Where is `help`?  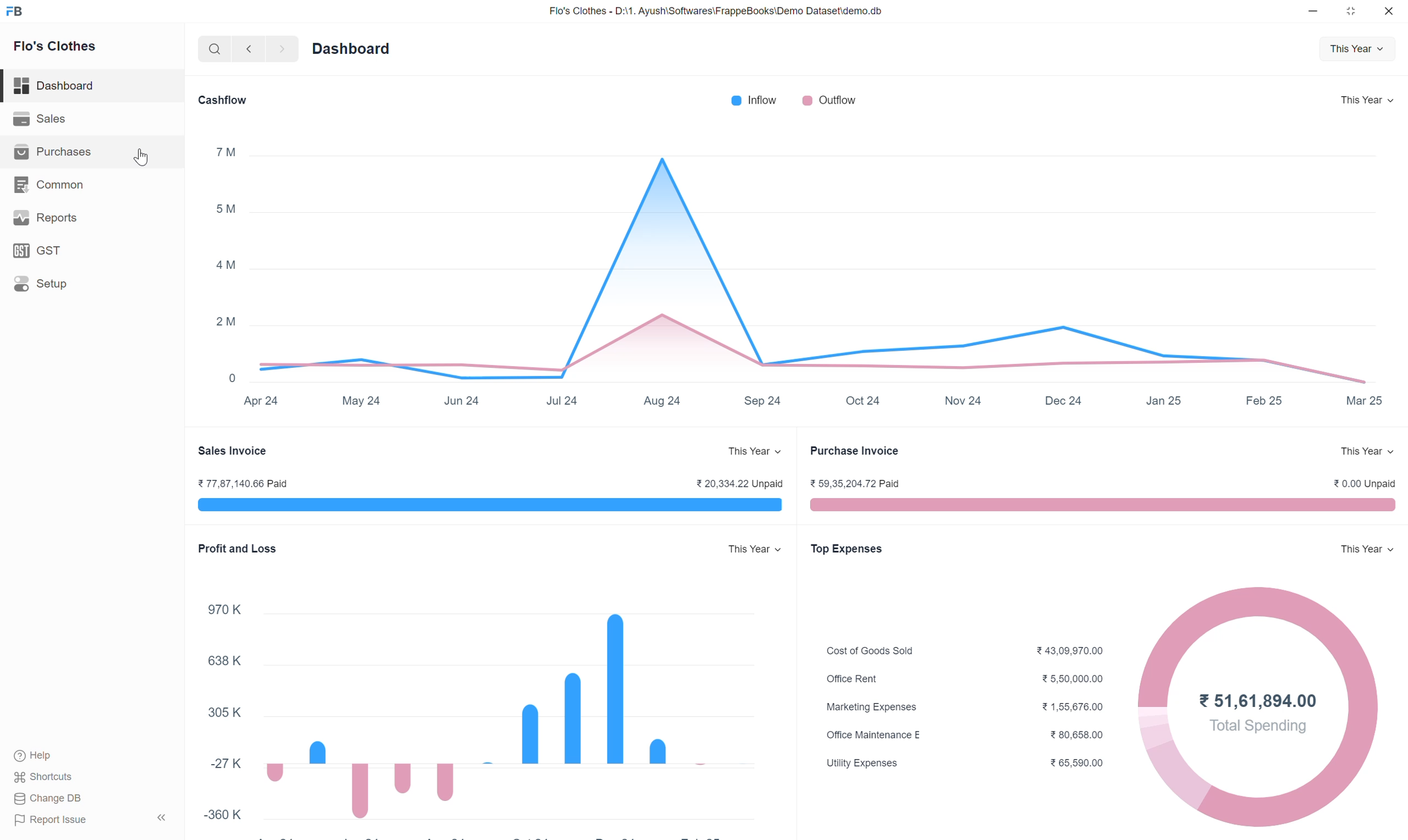 help is located at coordinates (34, 757).